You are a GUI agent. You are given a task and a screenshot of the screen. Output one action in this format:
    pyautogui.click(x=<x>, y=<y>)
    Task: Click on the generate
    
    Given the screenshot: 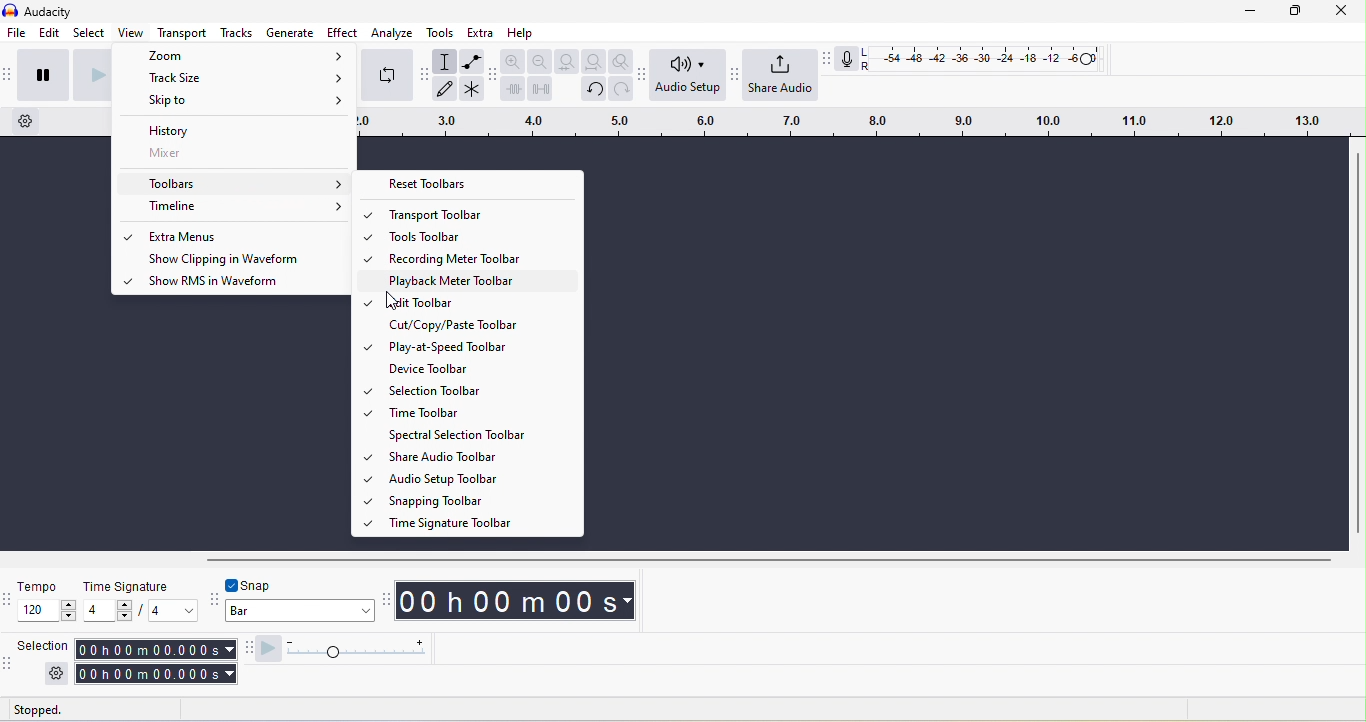 What is the action you would take?
    pyautogui.click(x=290, y=32)
    